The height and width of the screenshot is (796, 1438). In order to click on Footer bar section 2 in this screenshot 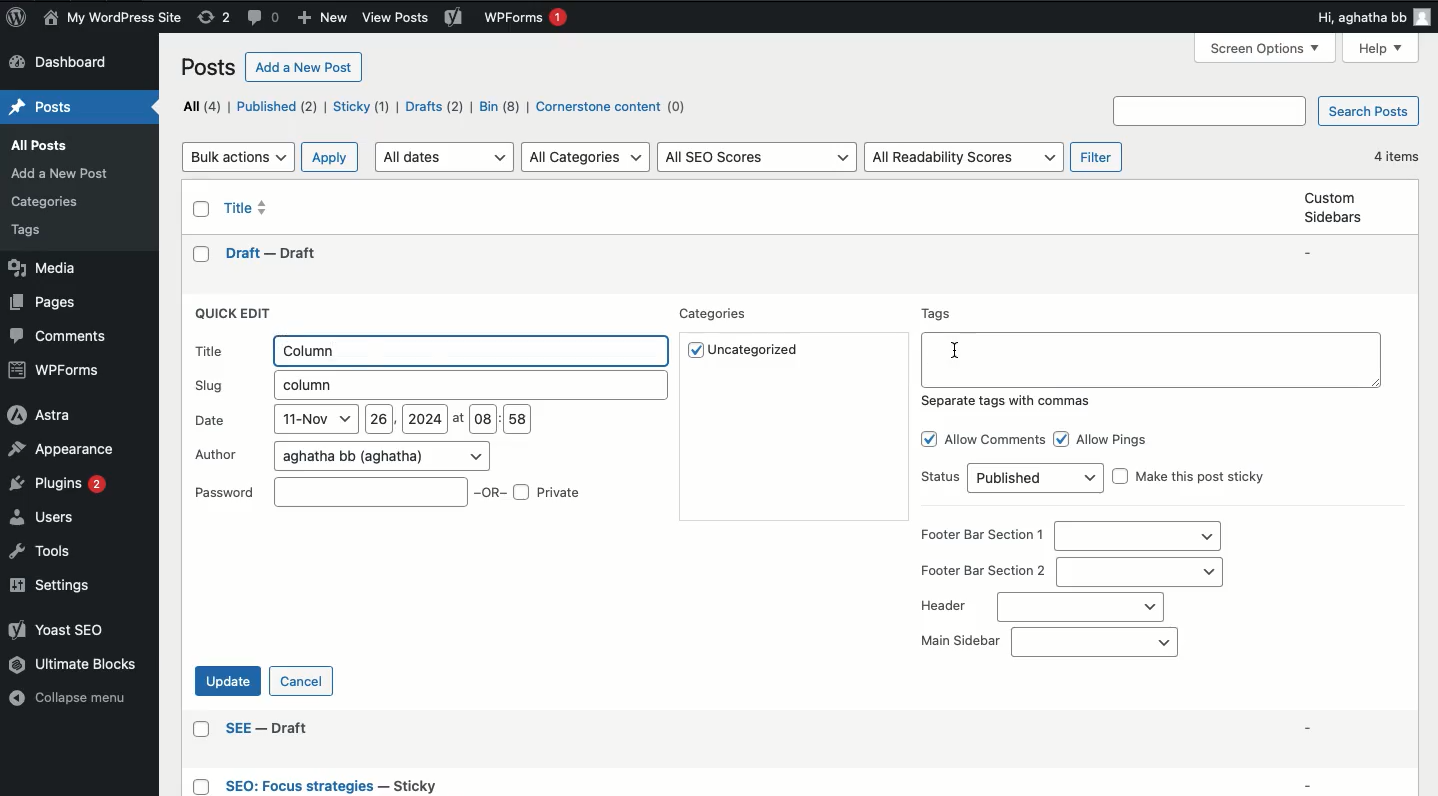, I will do `click(1069, 571)`.